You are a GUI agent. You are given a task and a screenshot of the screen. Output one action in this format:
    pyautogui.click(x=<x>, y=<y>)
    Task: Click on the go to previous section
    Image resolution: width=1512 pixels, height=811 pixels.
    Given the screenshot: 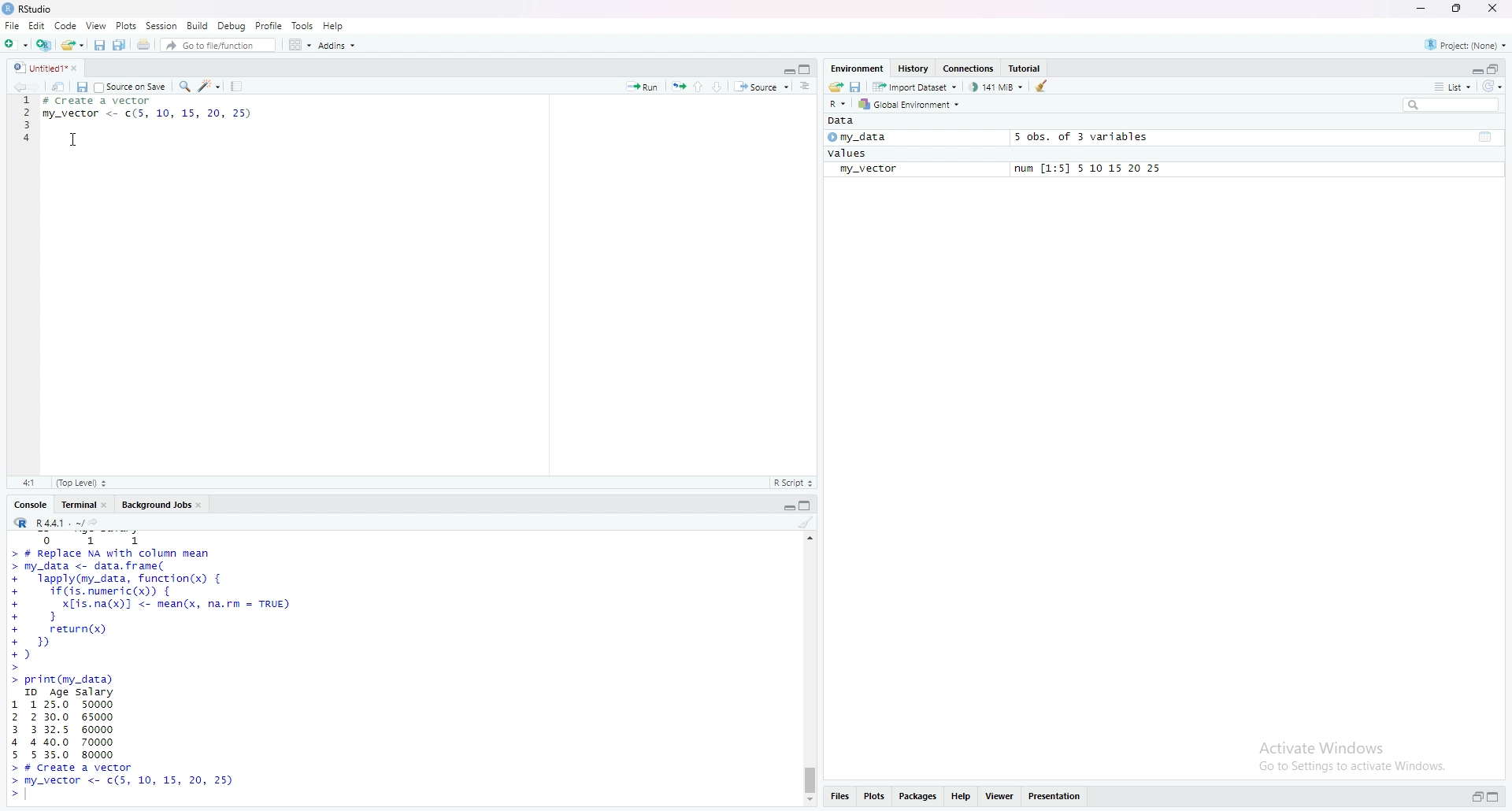 What is the action you would take?
    pyautogui.click(x=698, y=86)
    